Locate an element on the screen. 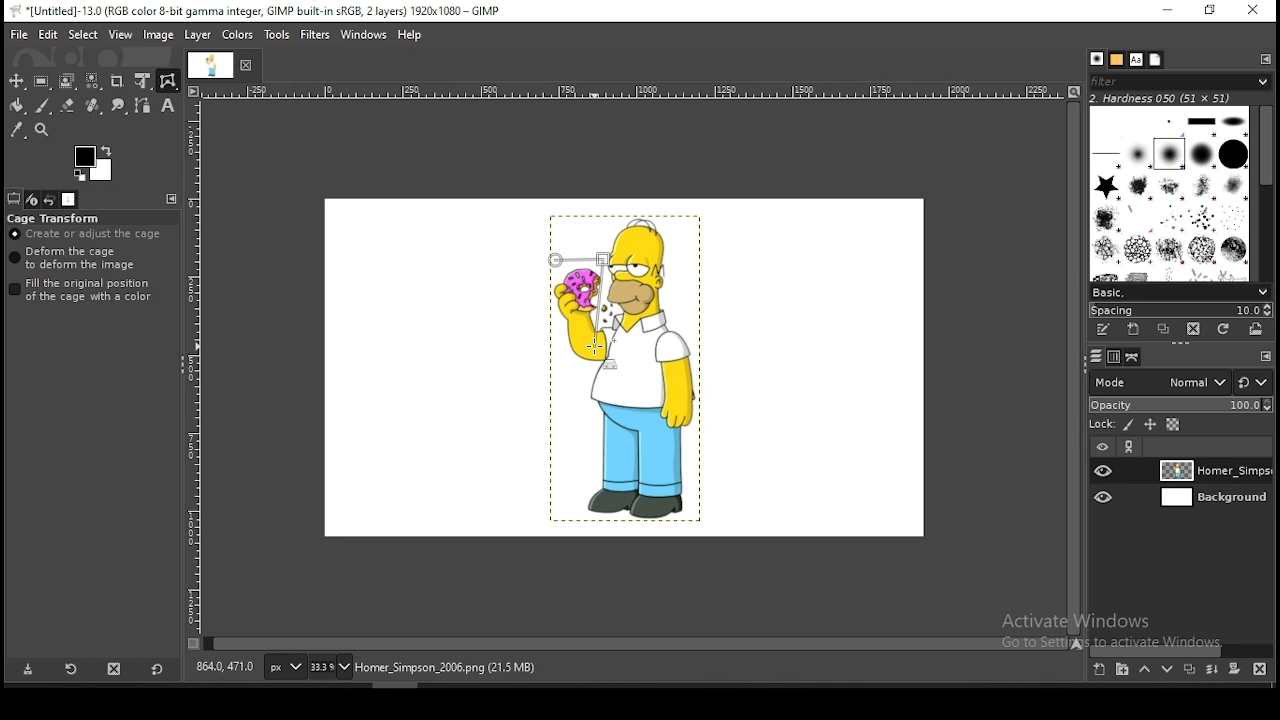  color picker tool is located at coordinates (17, 129).